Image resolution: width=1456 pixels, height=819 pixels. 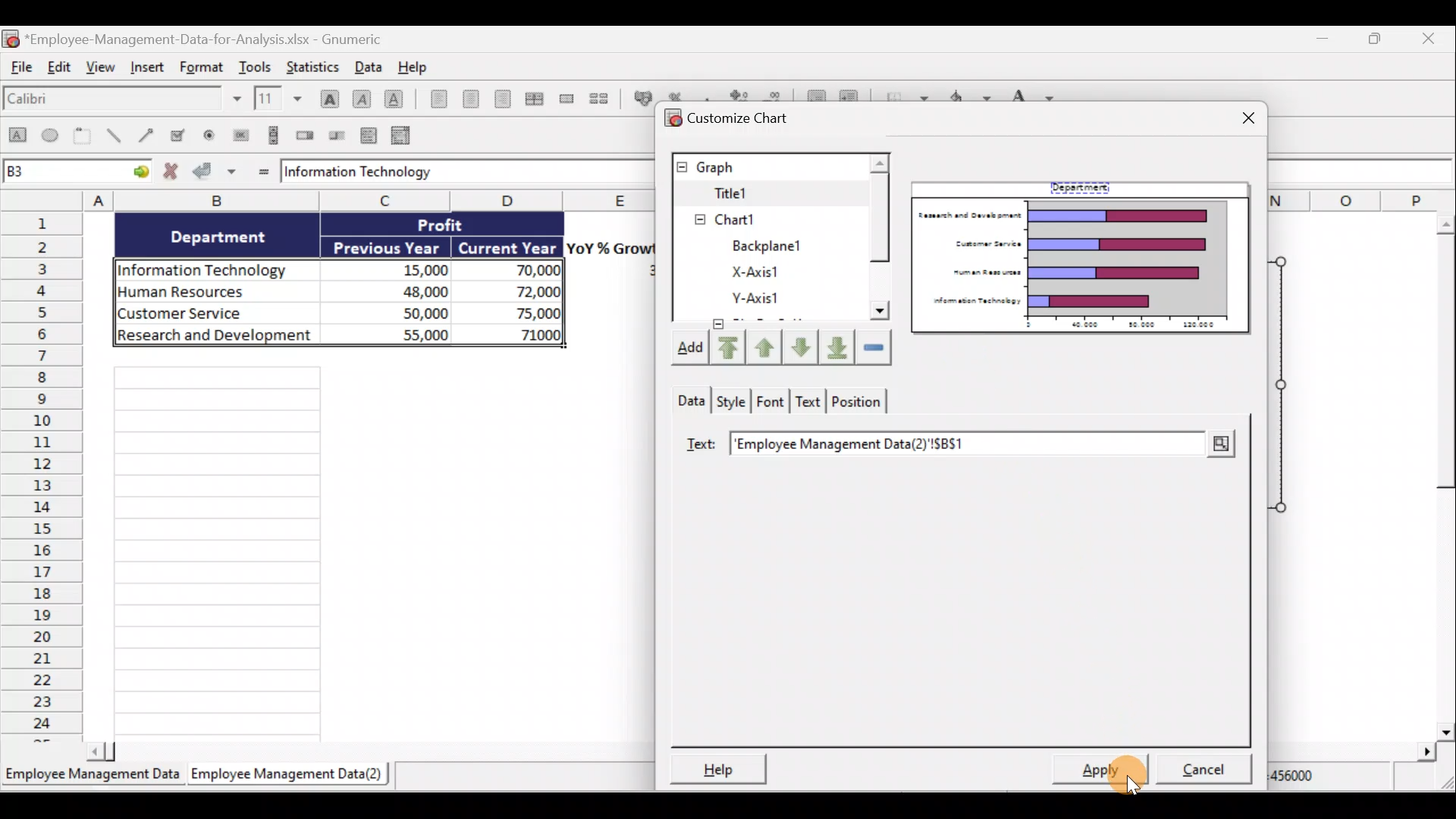 What do you see at coordinates (403, 290) in the screenshot?
I see `48,000` at bounding box center [403, 290].